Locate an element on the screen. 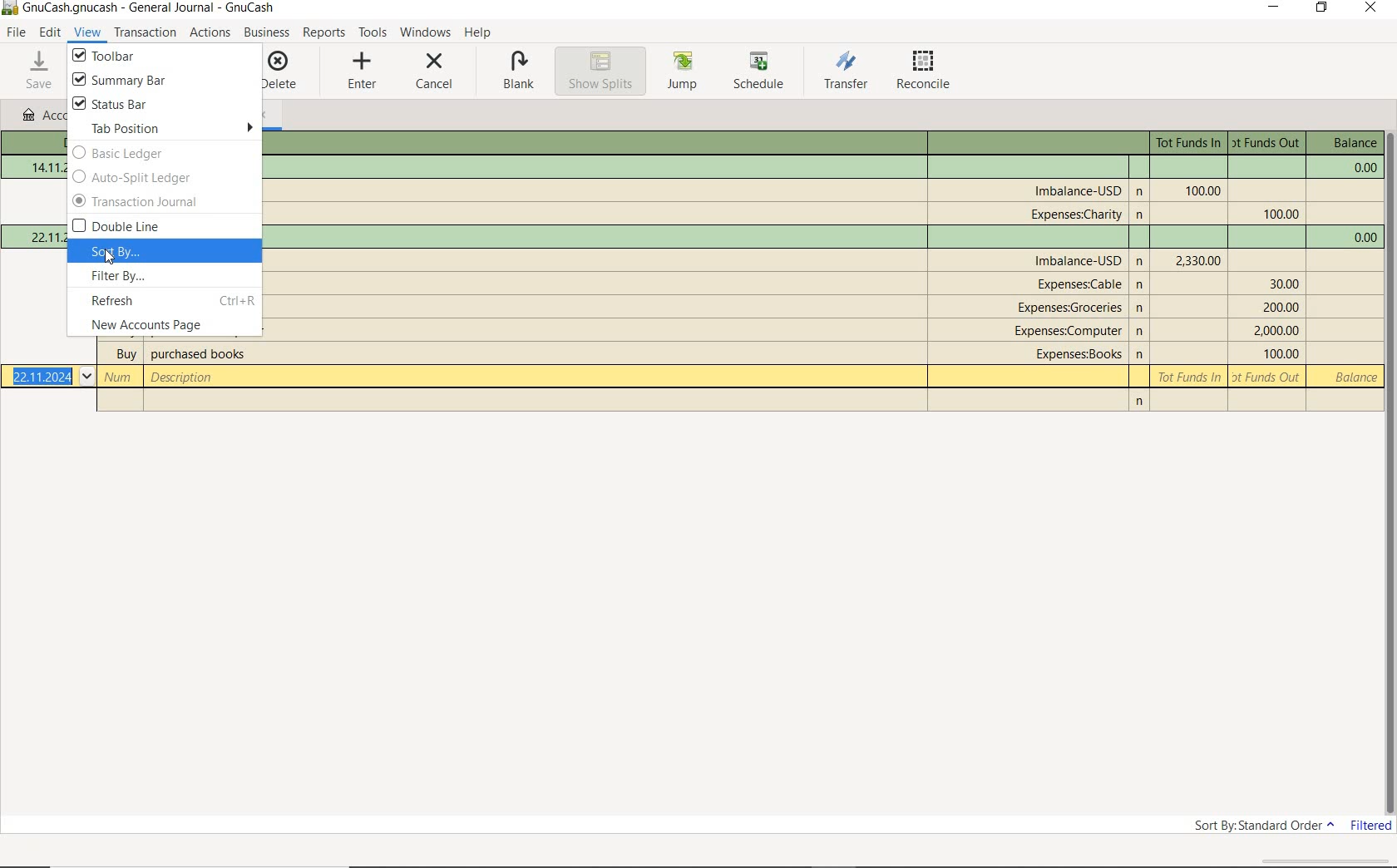 The height and width of the screenshot is (868, 1397). FILE is located at coordinates (19, 33).